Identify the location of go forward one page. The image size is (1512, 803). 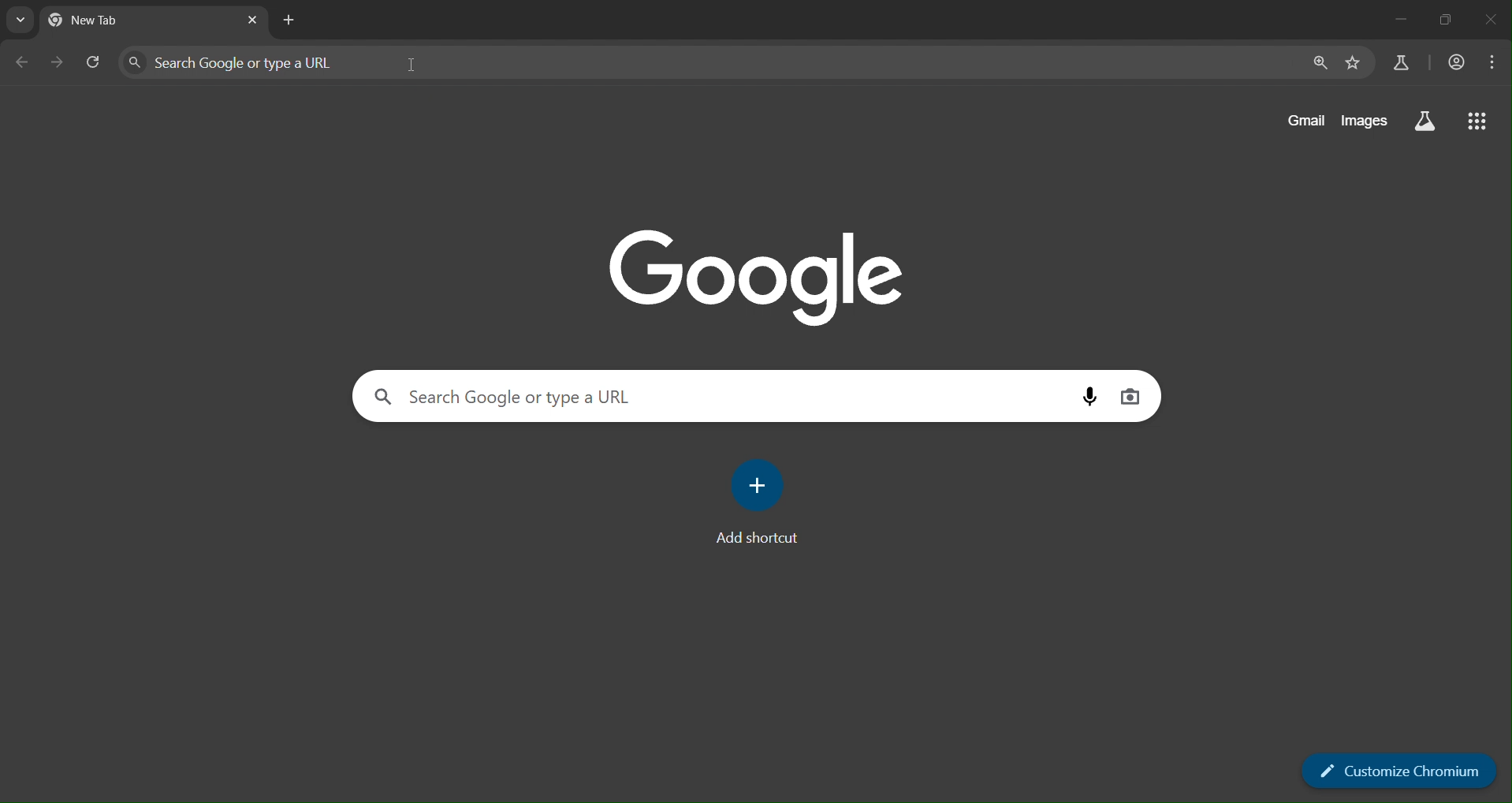
(58, 65).